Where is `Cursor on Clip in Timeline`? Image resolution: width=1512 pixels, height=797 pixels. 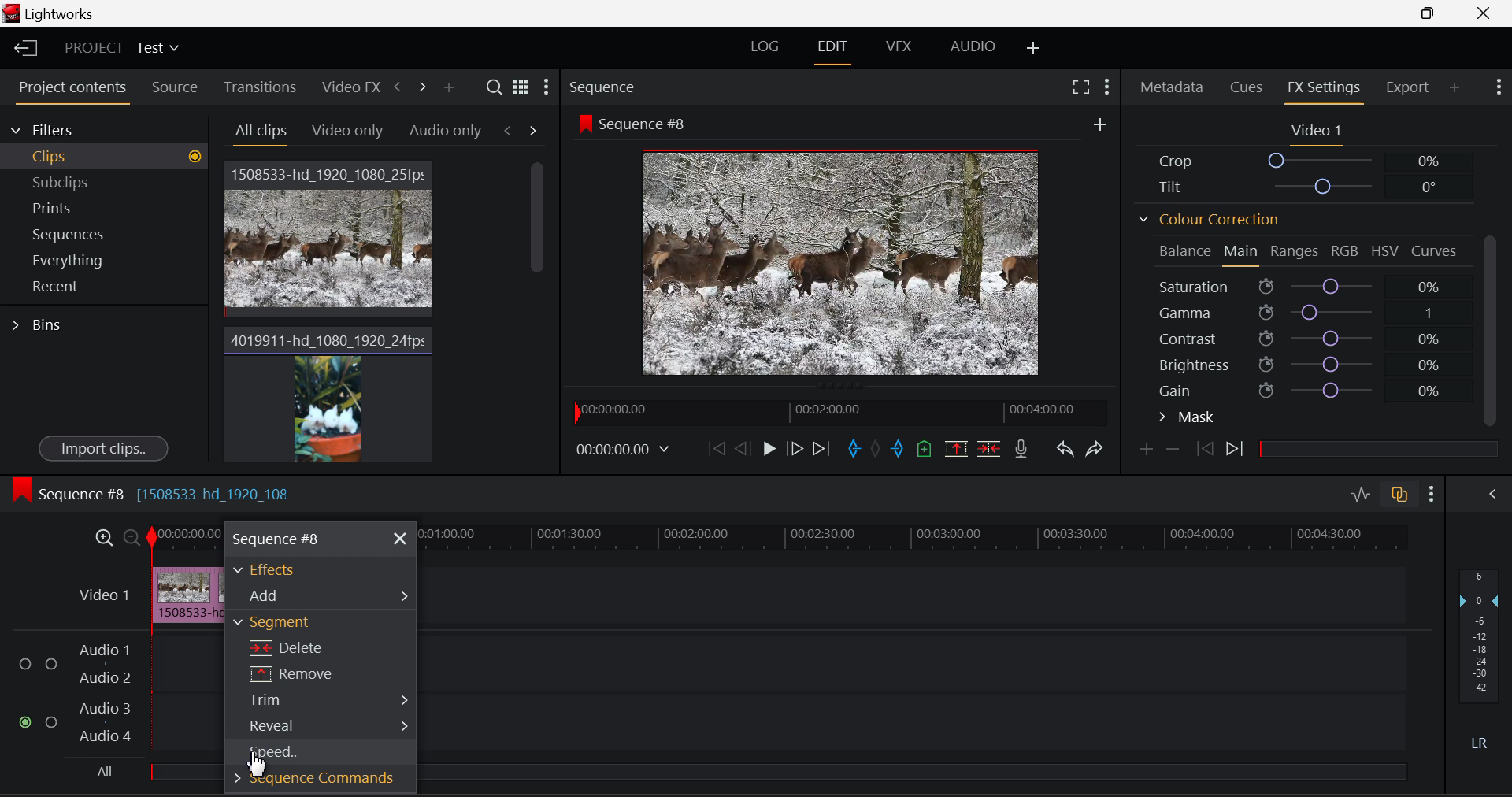 Cursor on Clip in Timeline is located at coordinates (187, 595).